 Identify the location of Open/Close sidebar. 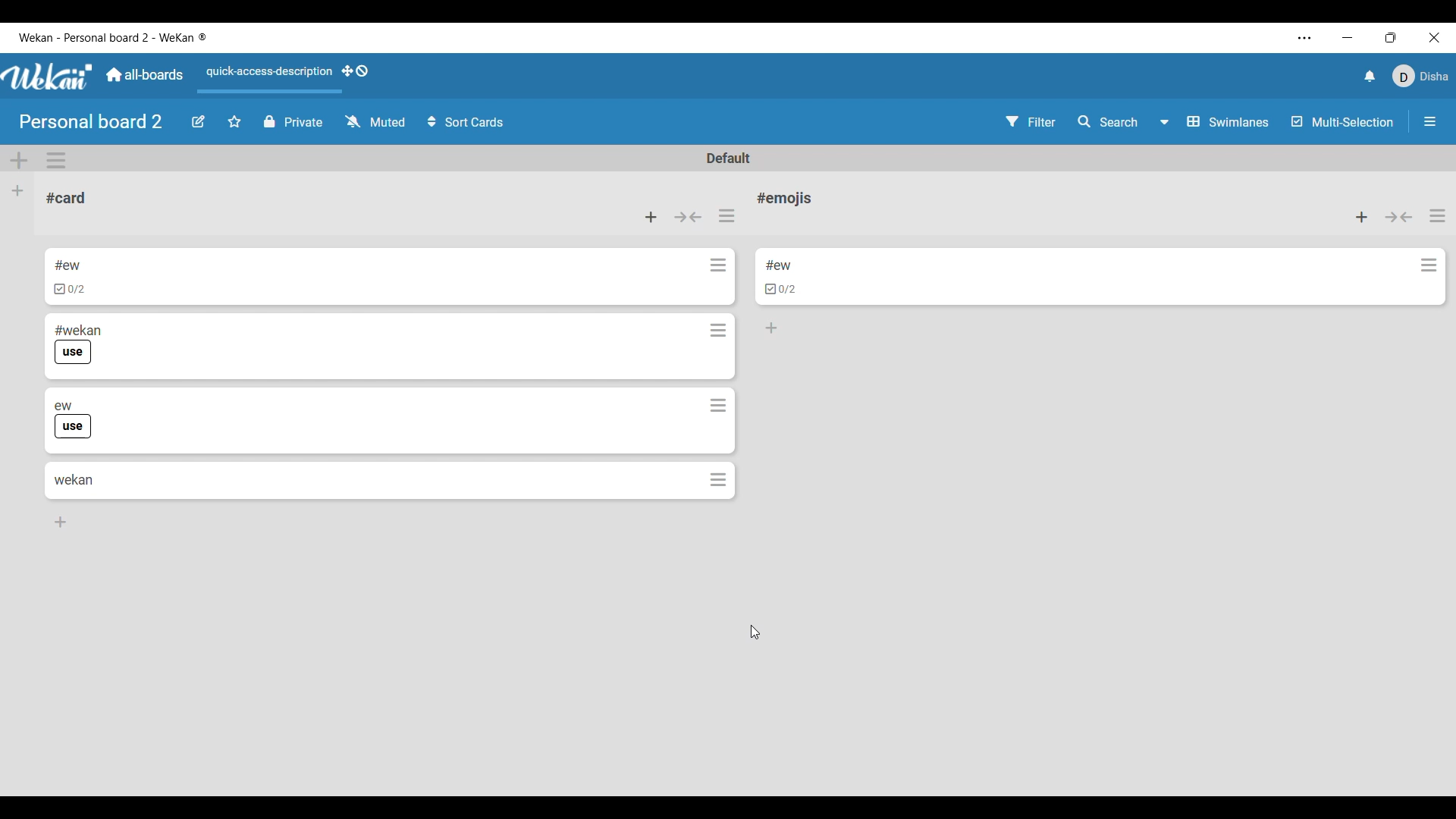
(1430, 121).